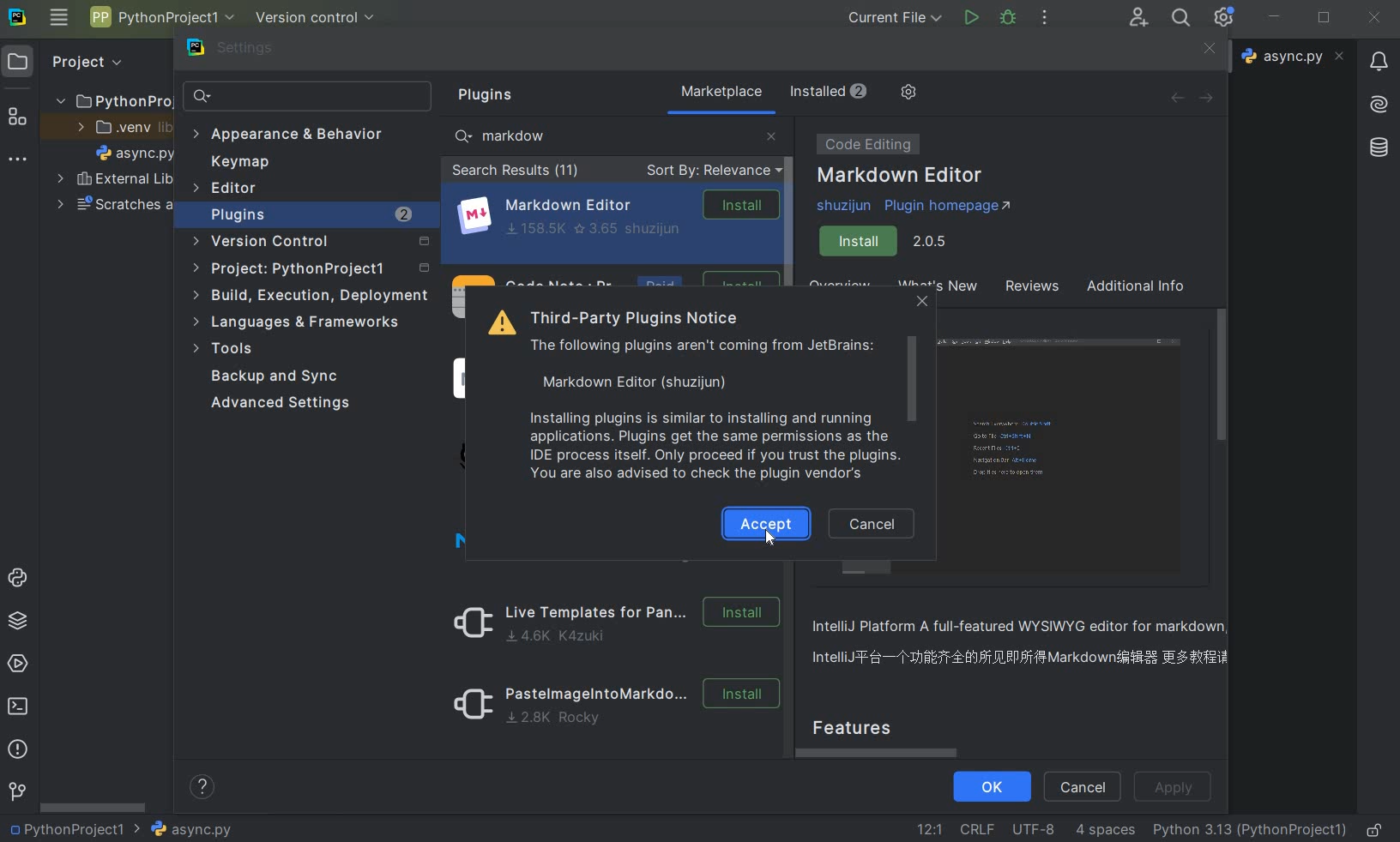 This screenshot has height=842, width=1400. Describe the element at coordinates (691, 393) in the screenshot. I see `Third-party plugins notice` at that location.